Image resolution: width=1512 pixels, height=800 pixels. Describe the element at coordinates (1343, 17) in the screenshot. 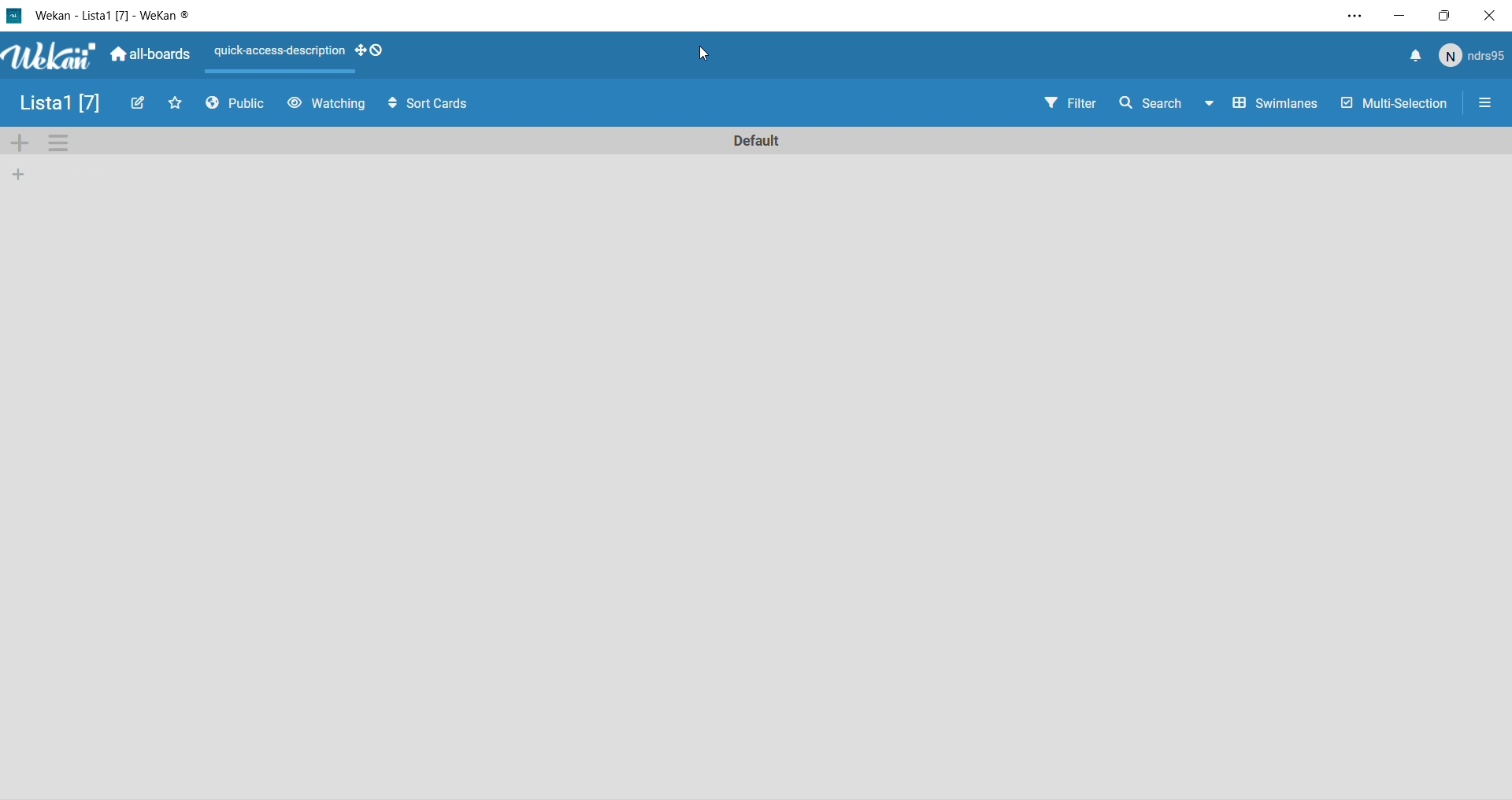

I see `Settings and more` at that location.